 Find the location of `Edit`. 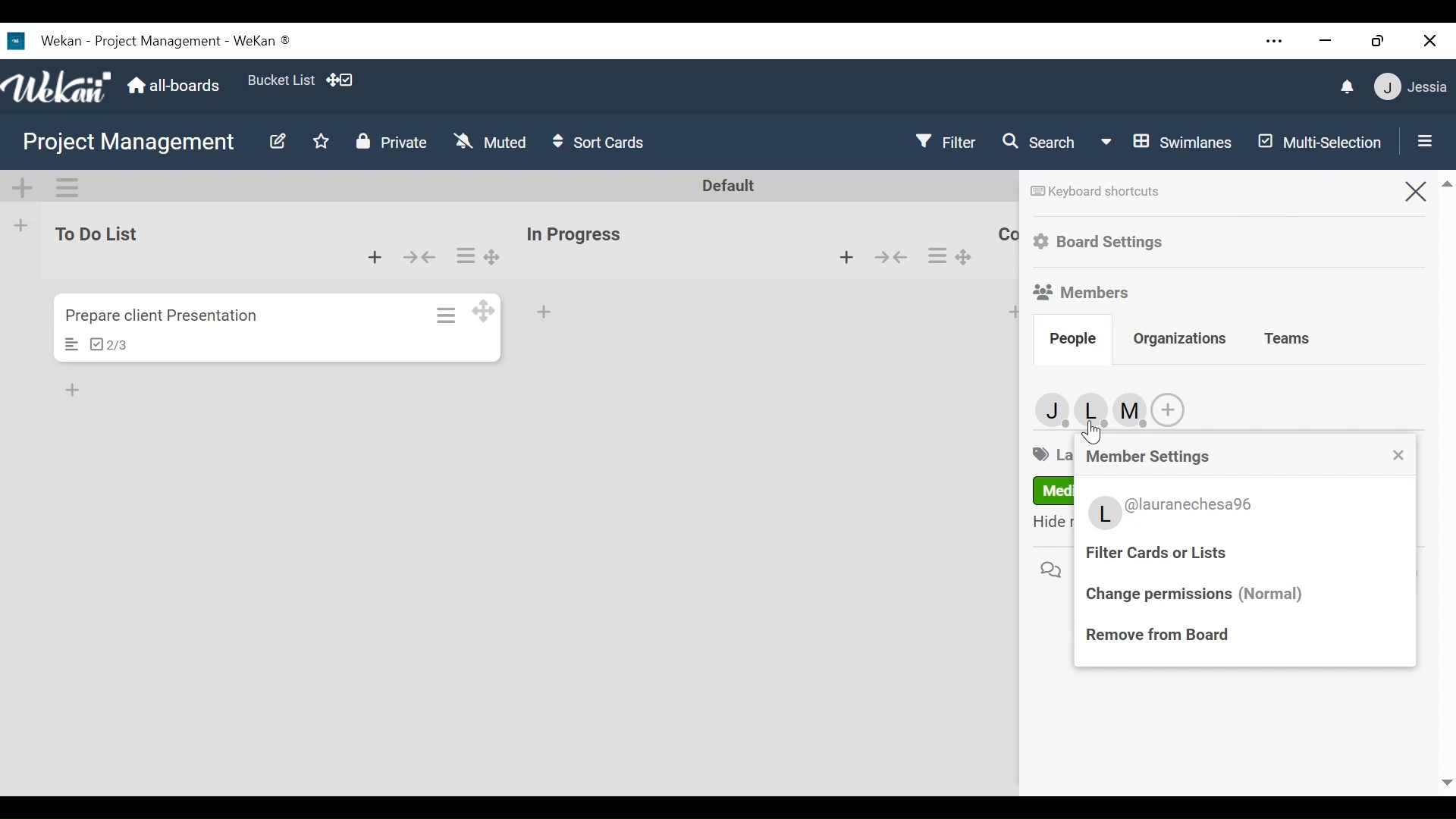

Edit is located at coordinates (277, 143).